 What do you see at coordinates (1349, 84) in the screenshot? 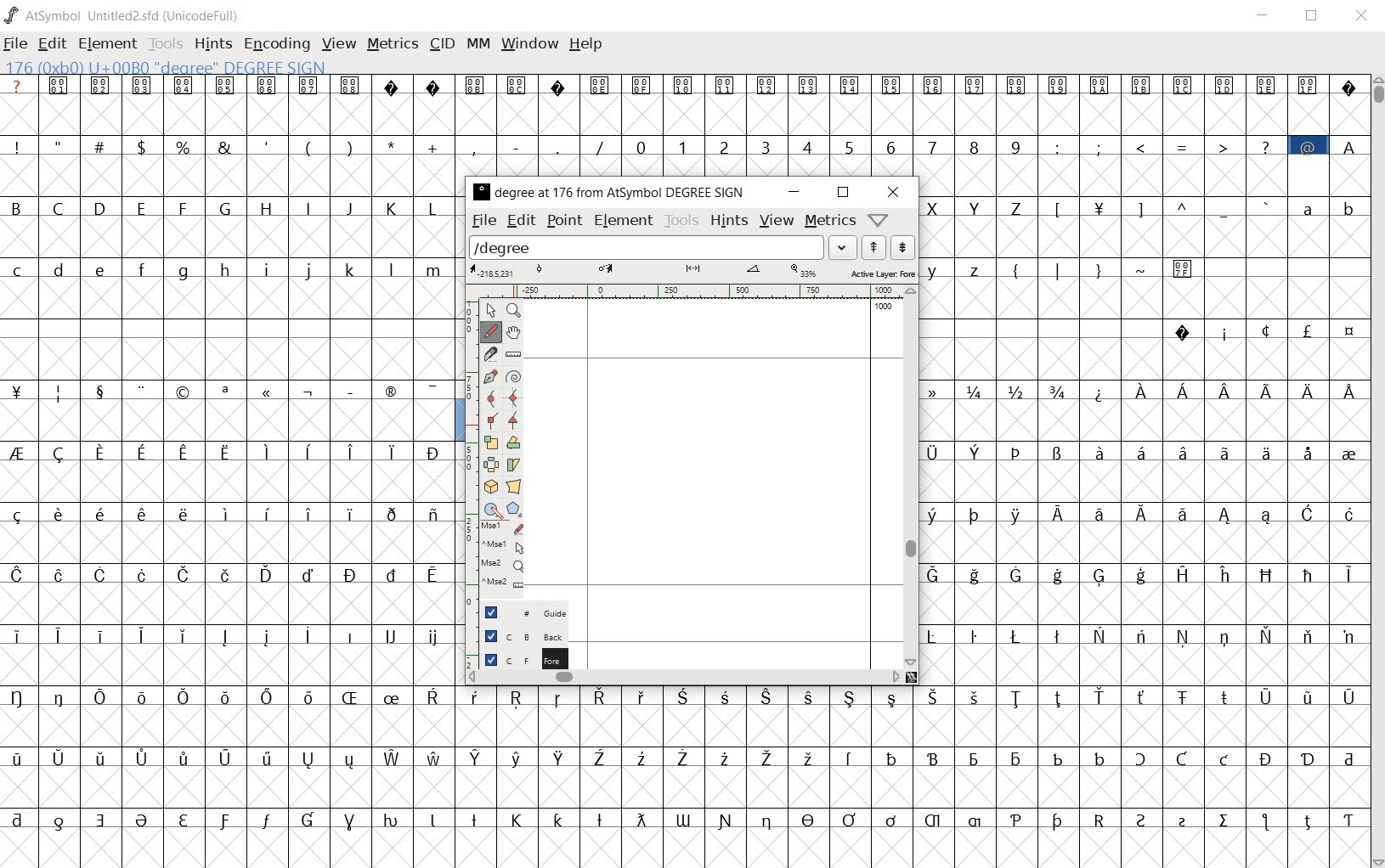
I see `unsupported charters` at bounding box center [1349, 84].